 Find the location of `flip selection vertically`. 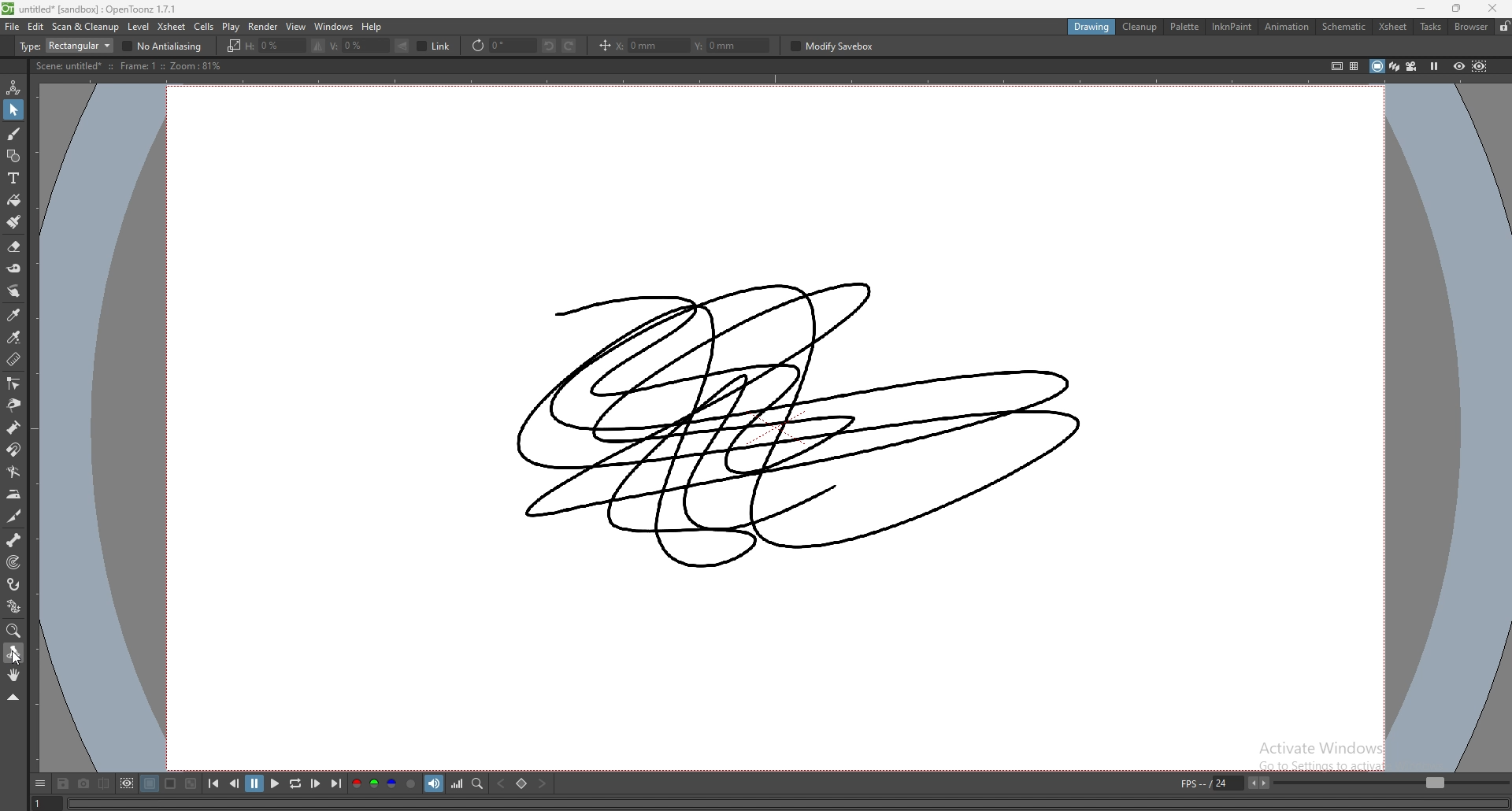

flip selection vertically is located at coordinates (402, 45).